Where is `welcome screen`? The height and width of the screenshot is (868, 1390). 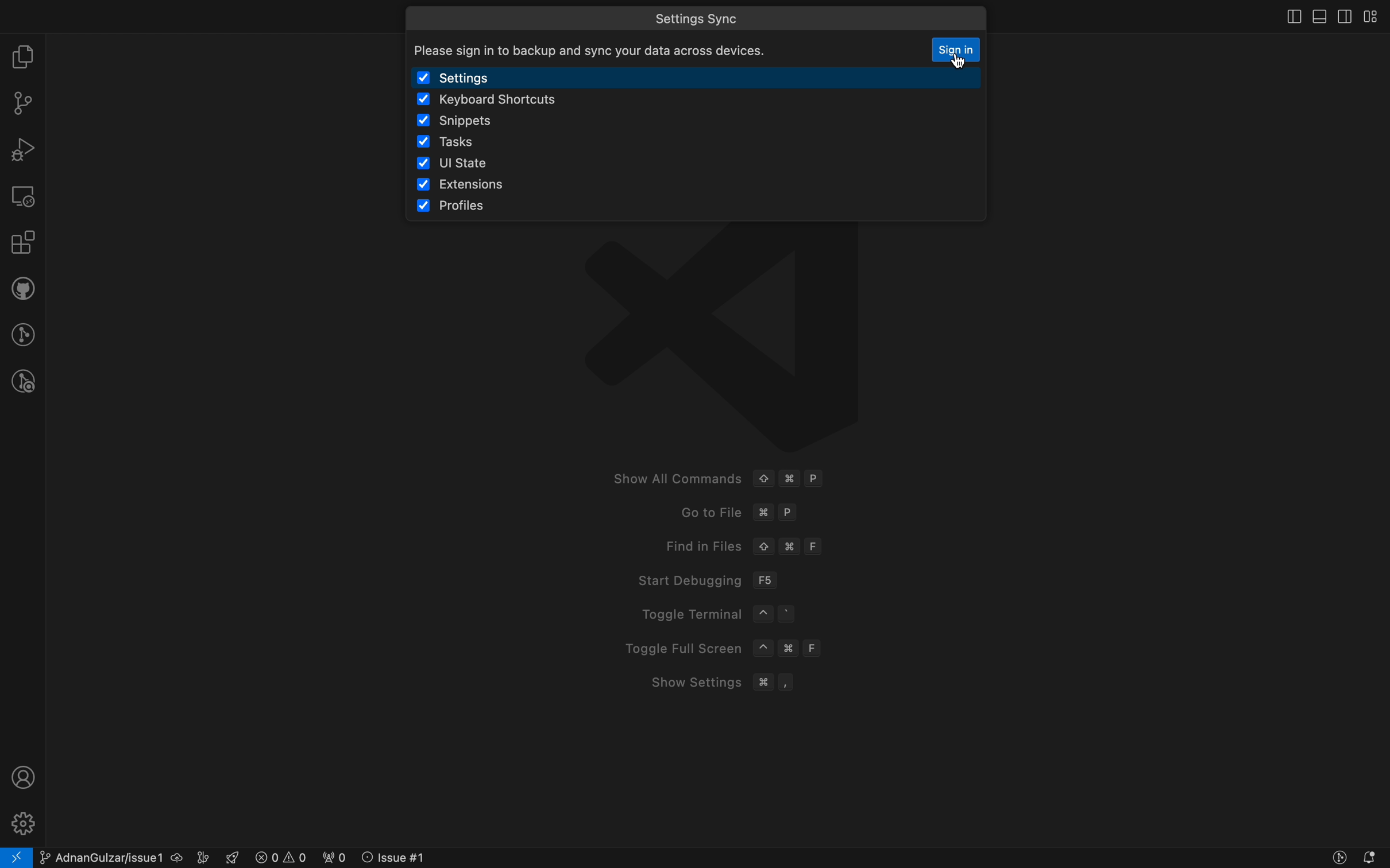 welcome screen is located at coordinates (724, 553).